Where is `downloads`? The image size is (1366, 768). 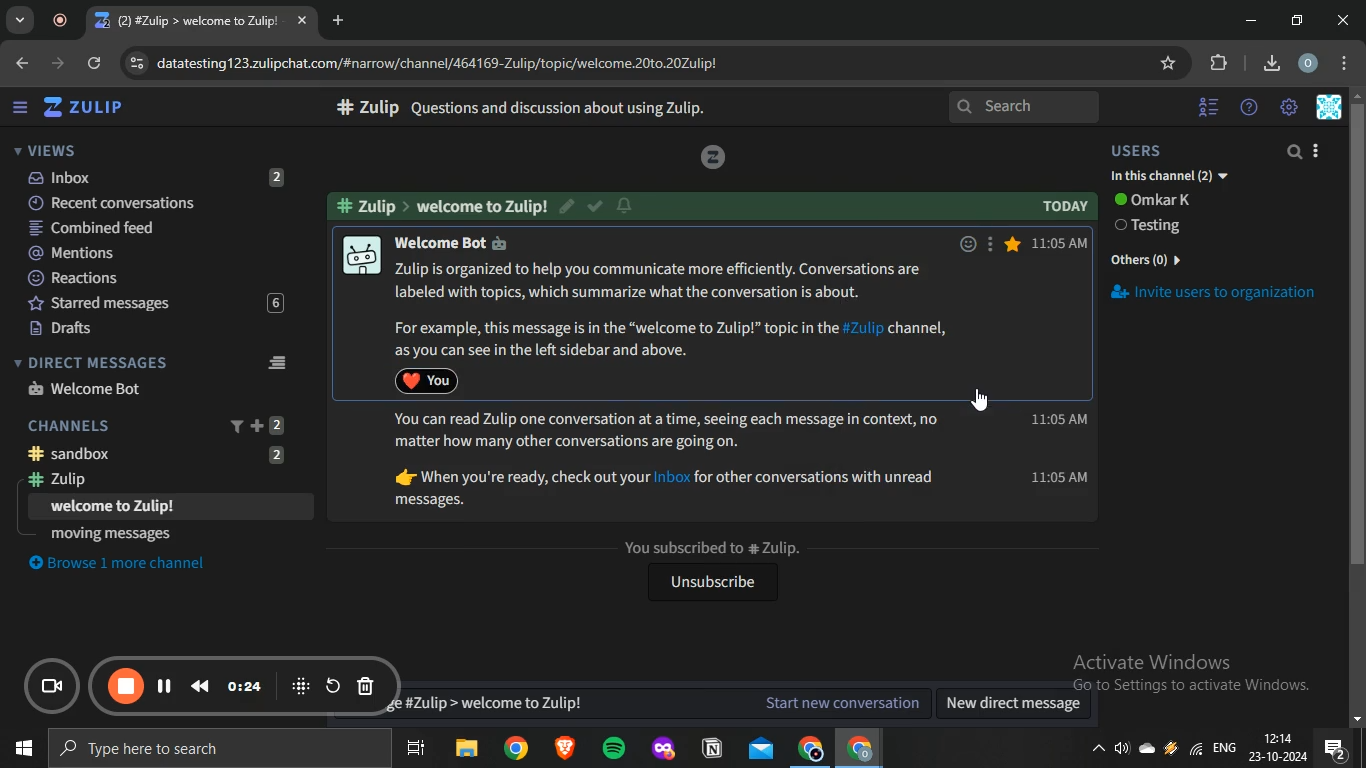 downloads is located at coordinates (1271, 61).